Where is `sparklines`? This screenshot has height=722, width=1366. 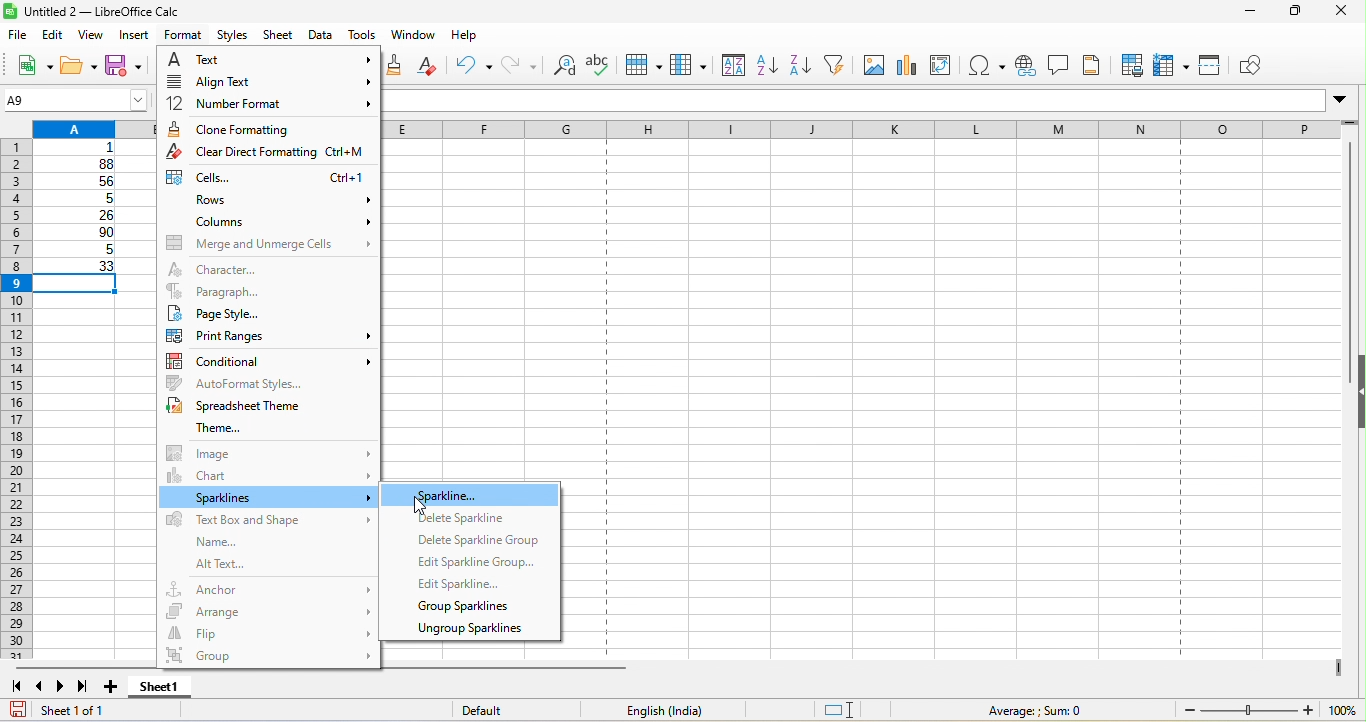 sparklines is located at coordinates (269, 498).